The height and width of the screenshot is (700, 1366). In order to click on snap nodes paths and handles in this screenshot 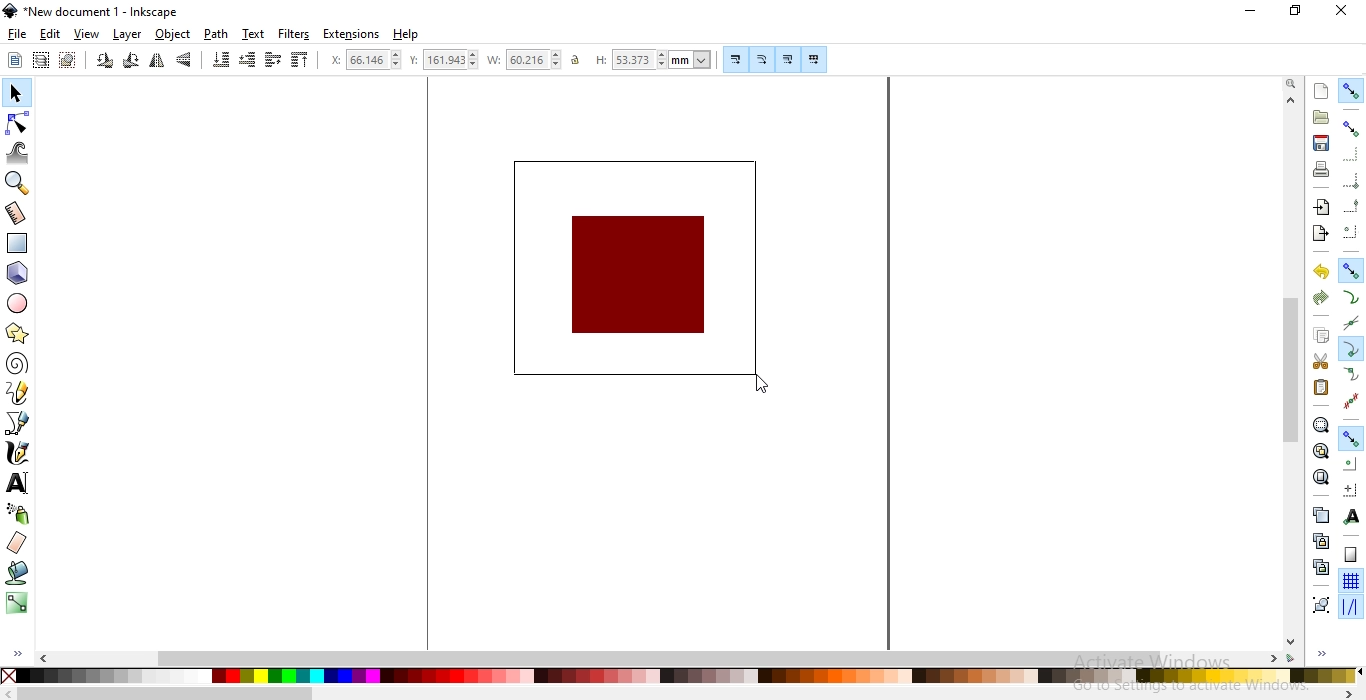, I will do `click(1352, 271)`.